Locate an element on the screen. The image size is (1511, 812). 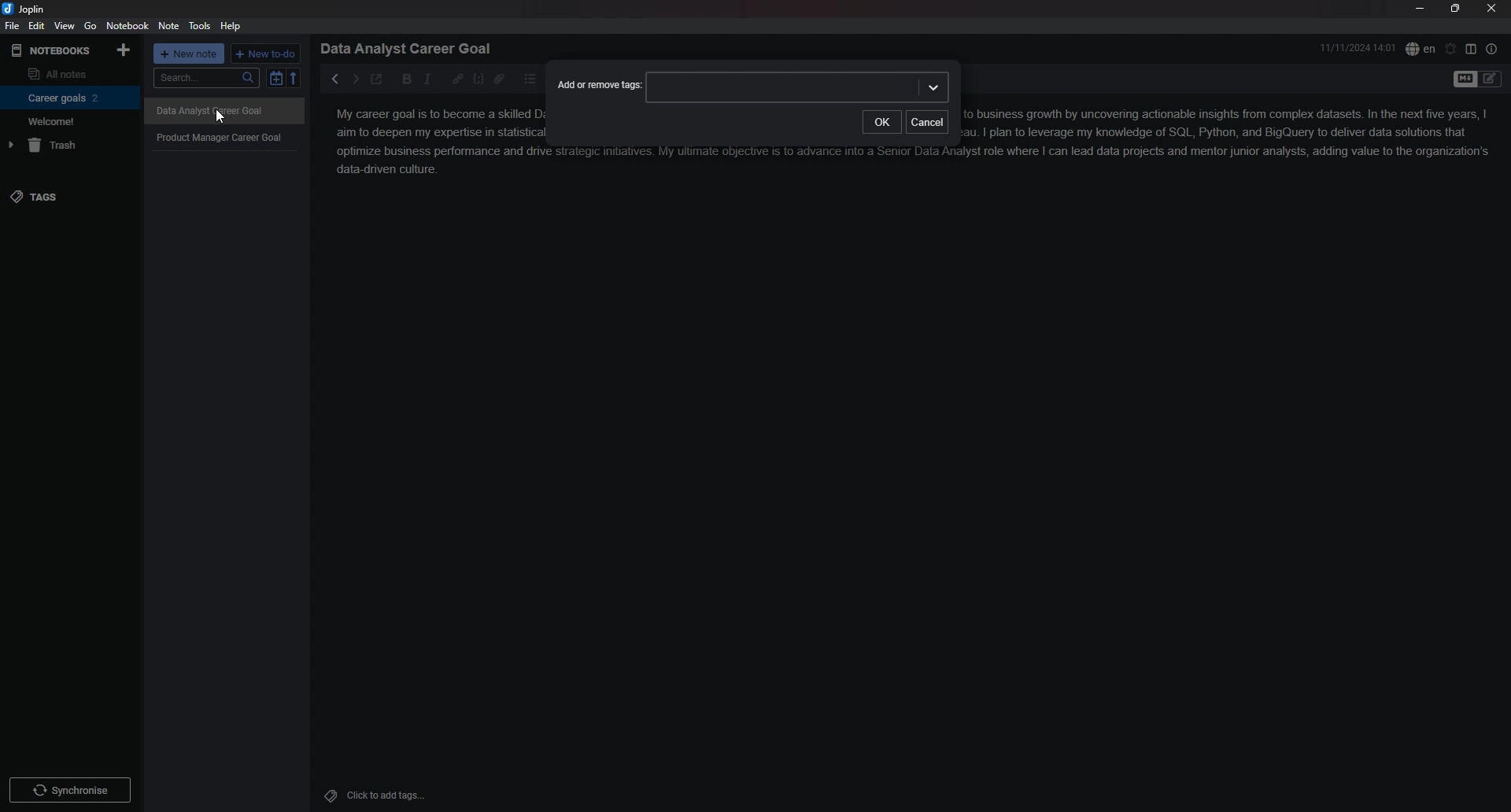
add or remove tags is located at coordinates (600, 86).